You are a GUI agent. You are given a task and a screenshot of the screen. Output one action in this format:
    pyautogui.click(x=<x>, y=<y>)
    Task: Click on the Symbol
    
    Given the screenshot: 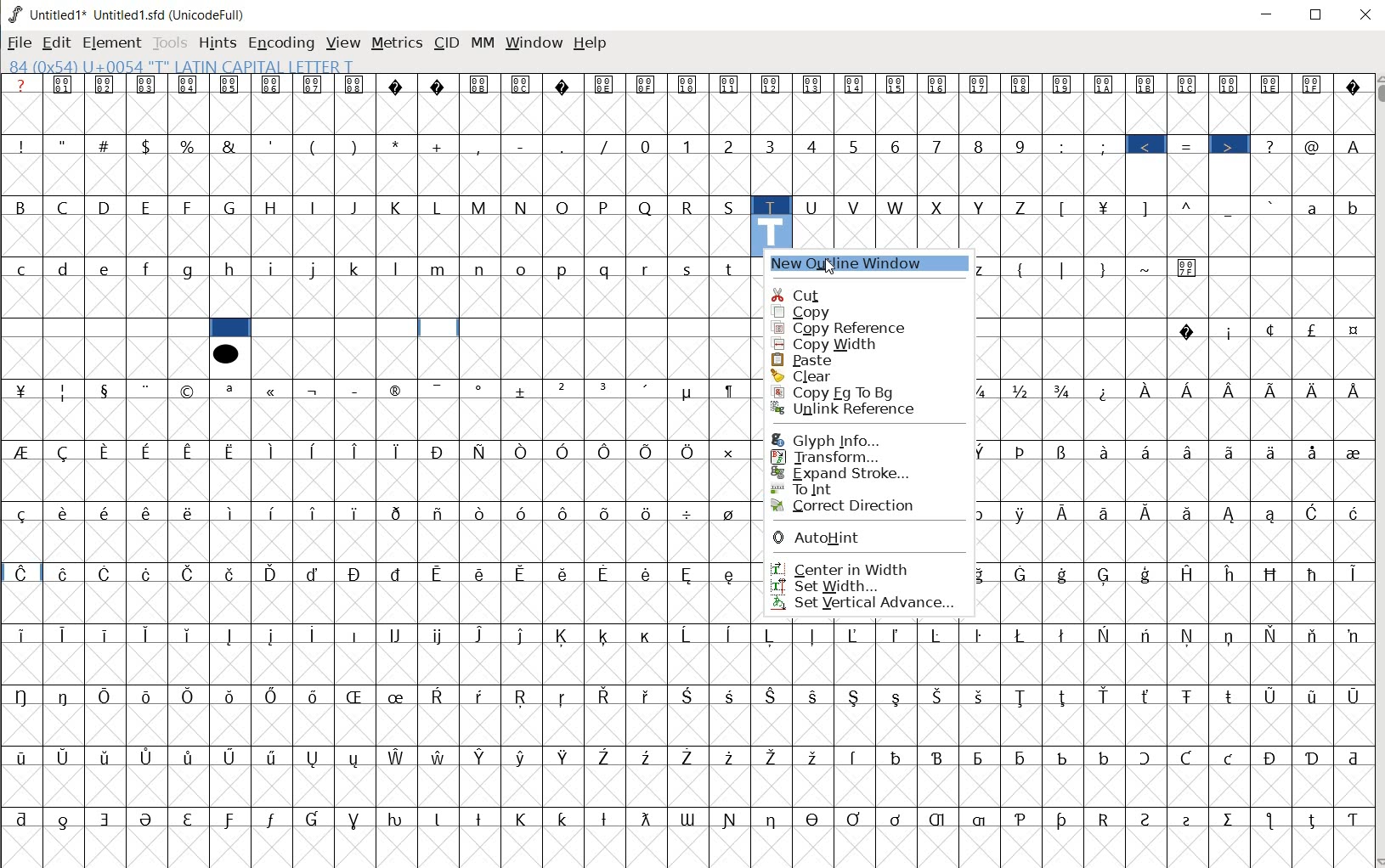 What is the action you would take?
    pyautogui.click(x=811, y=695)
    